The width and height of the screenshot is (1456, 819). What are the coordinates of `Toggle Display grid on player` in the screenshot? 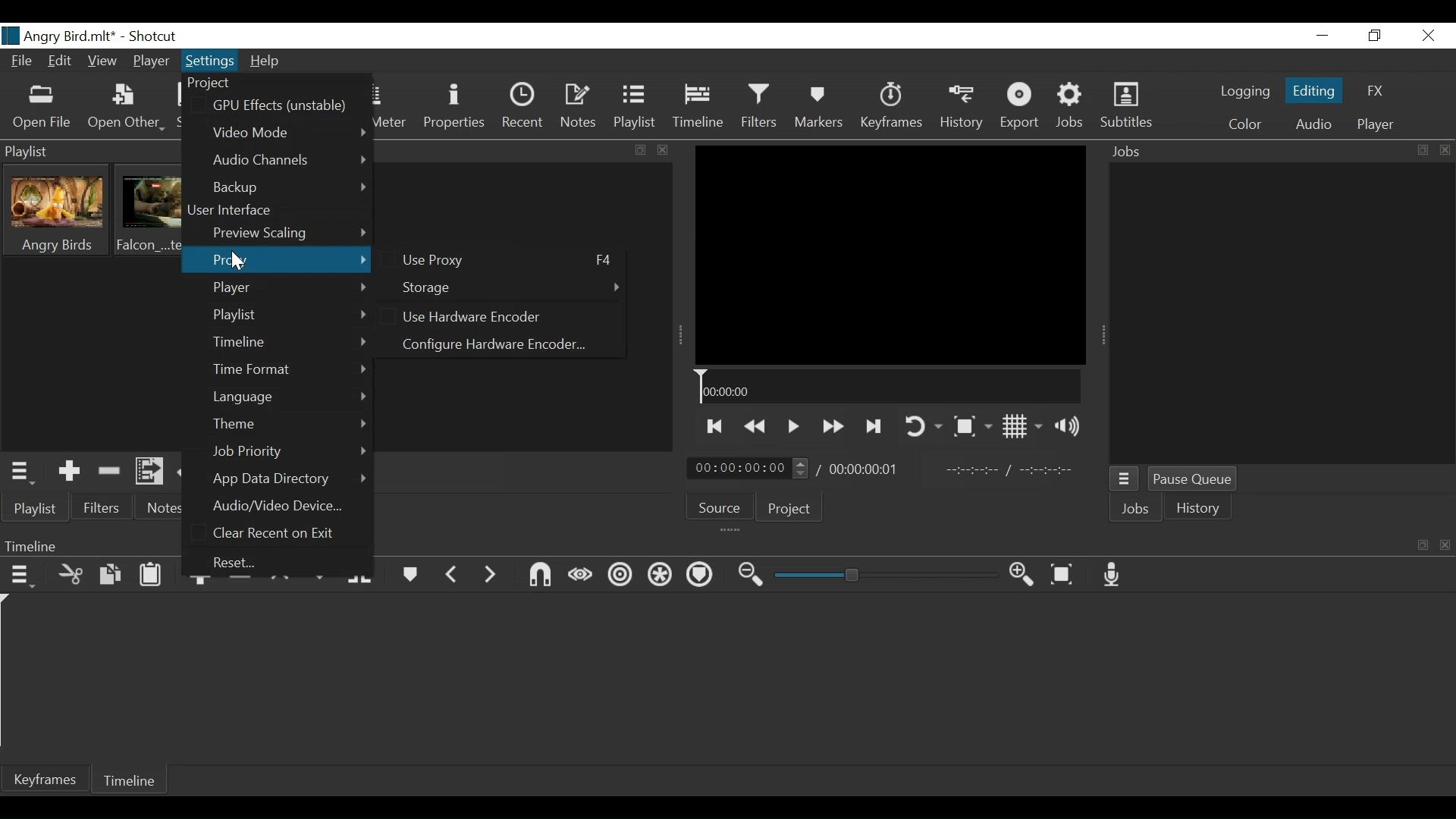 It's located at (1018, 427).